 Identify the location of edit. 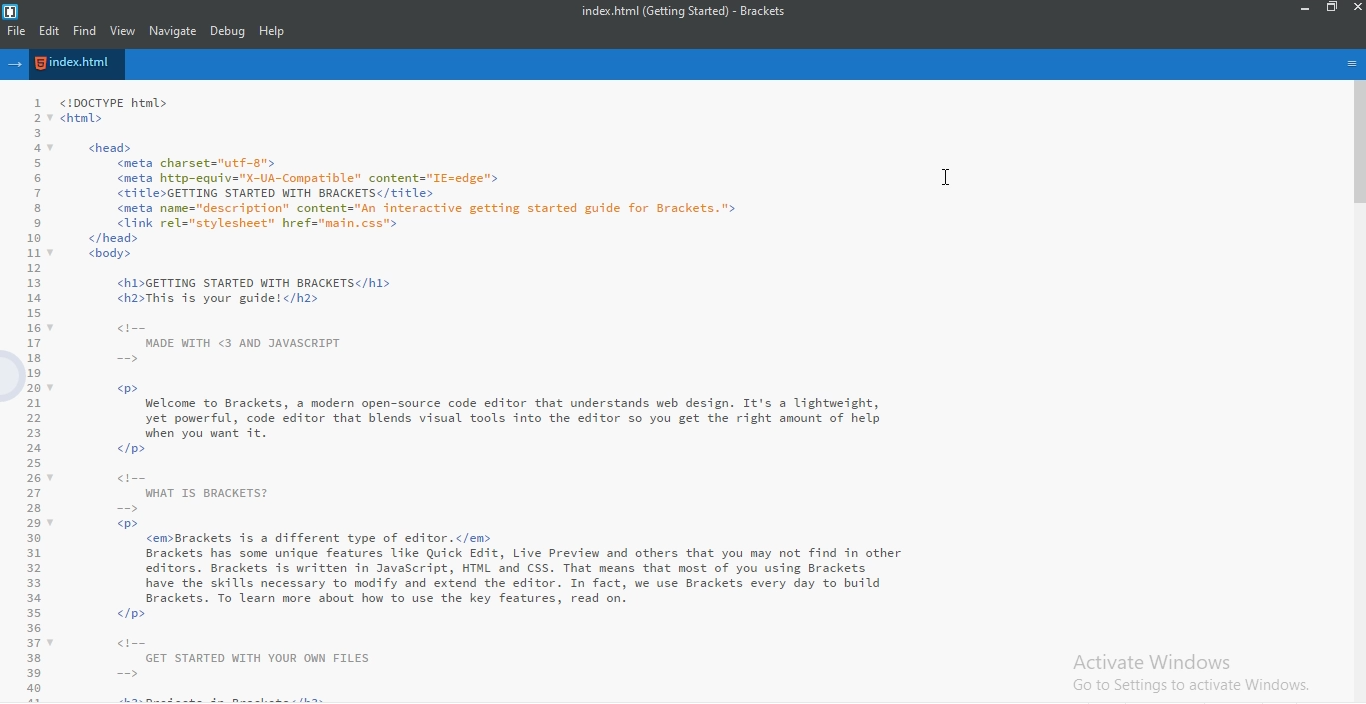
(48, 31).